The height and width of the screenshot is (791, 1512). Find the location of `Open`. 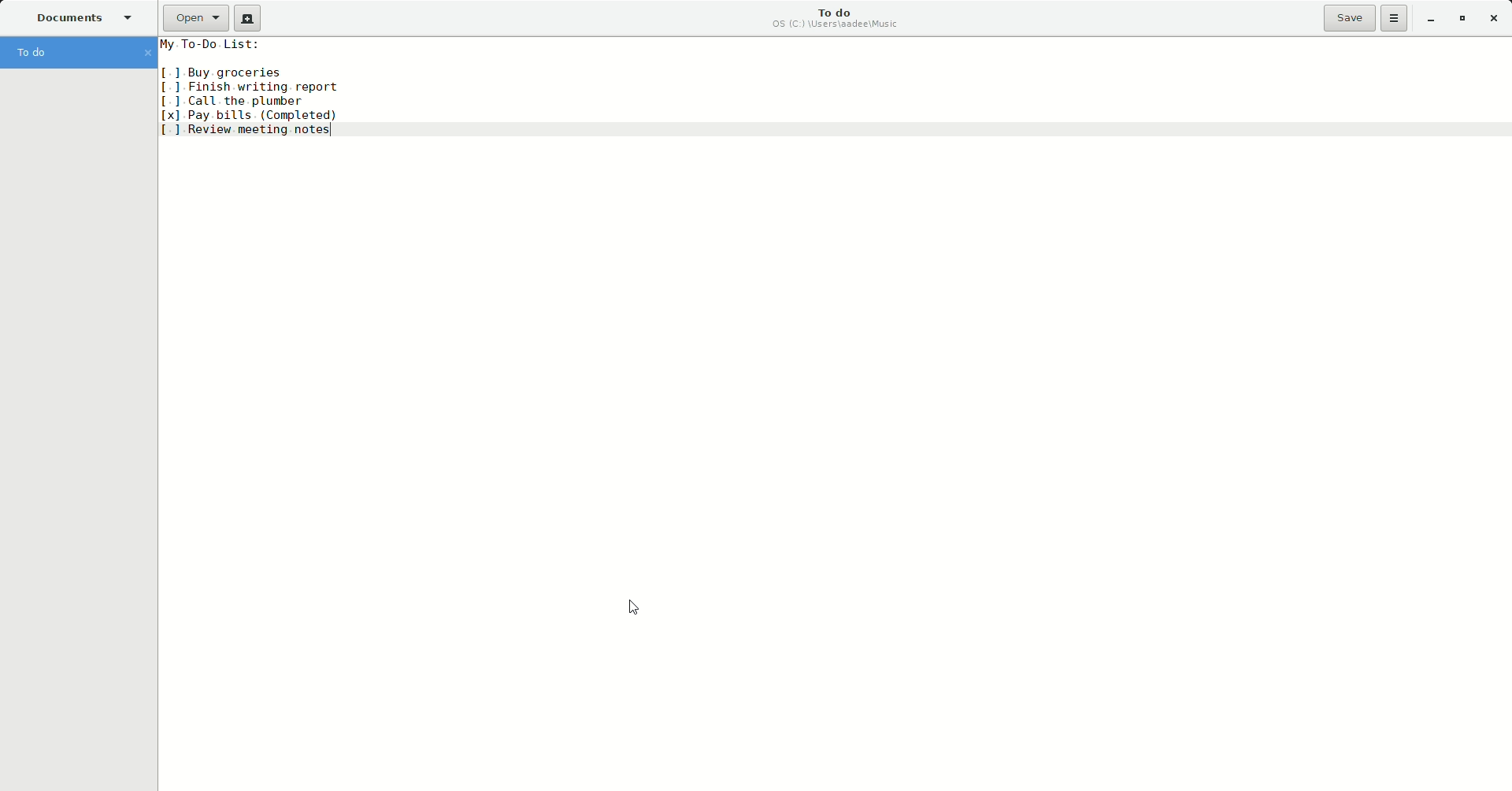

Open is located at coordinates (194, 16).